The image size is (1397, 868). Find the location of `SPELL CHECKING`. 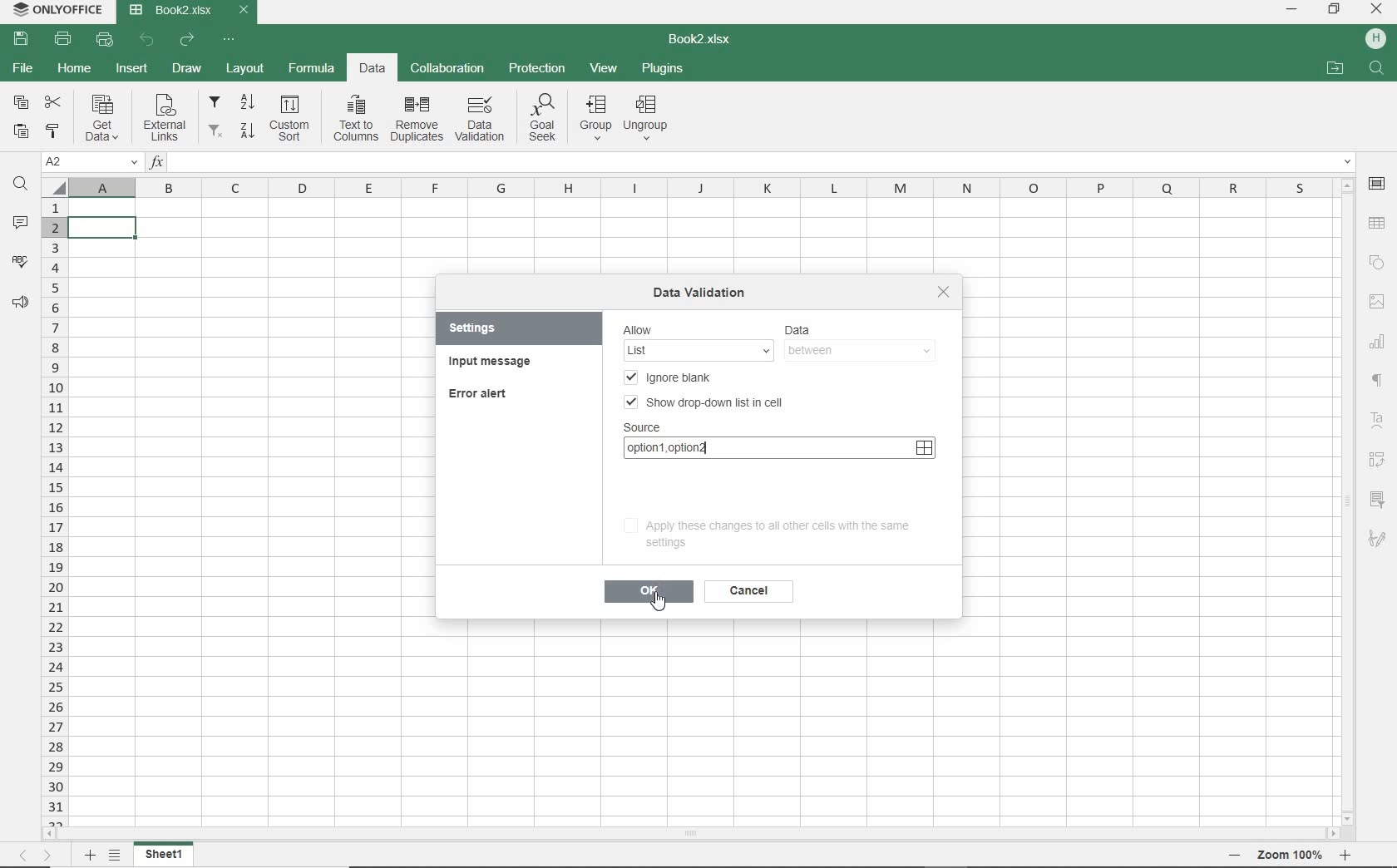

SPELL CHECKING is located at coordinates (21, 261).